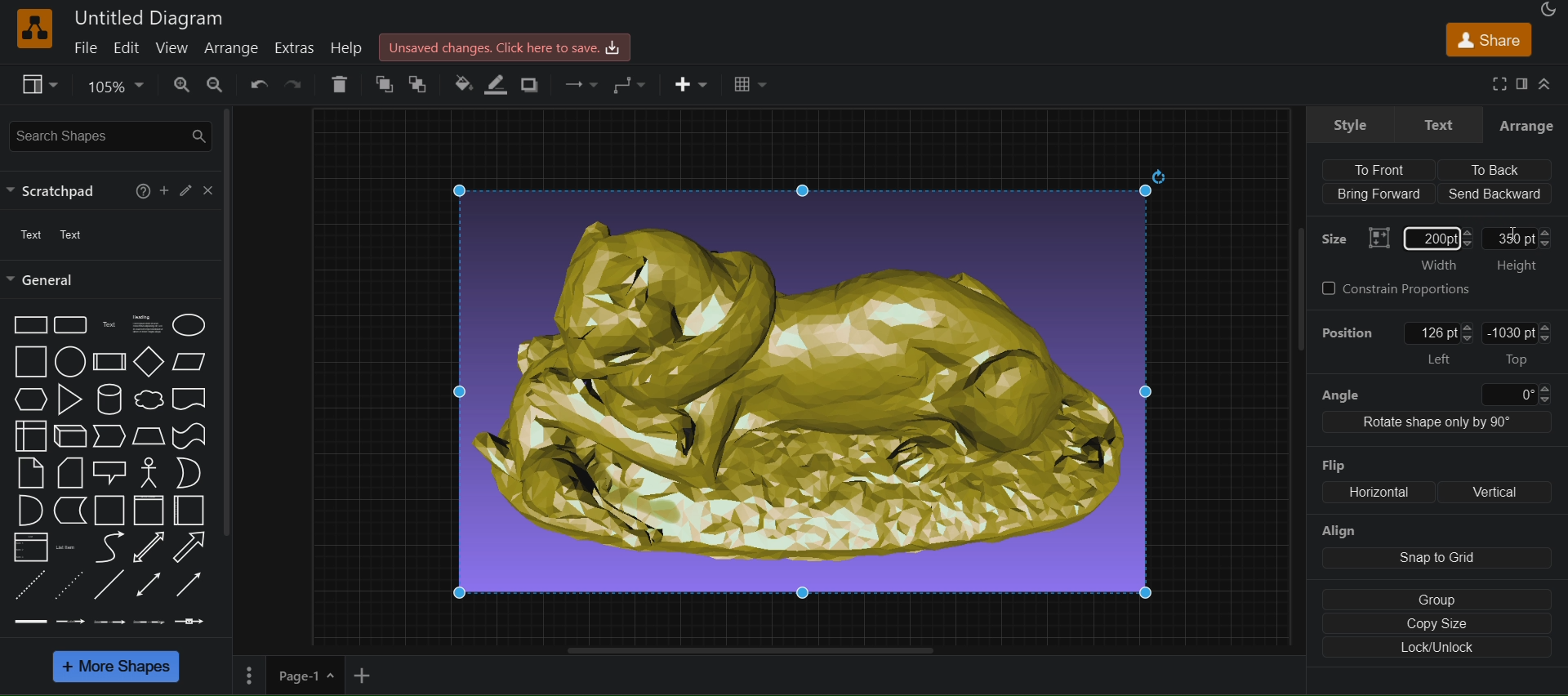 This screenshot has height=696, width=1568. What do you see at coordinates (28, 236) in the screenshot?
I see `text` at bounding box center [28, 236].